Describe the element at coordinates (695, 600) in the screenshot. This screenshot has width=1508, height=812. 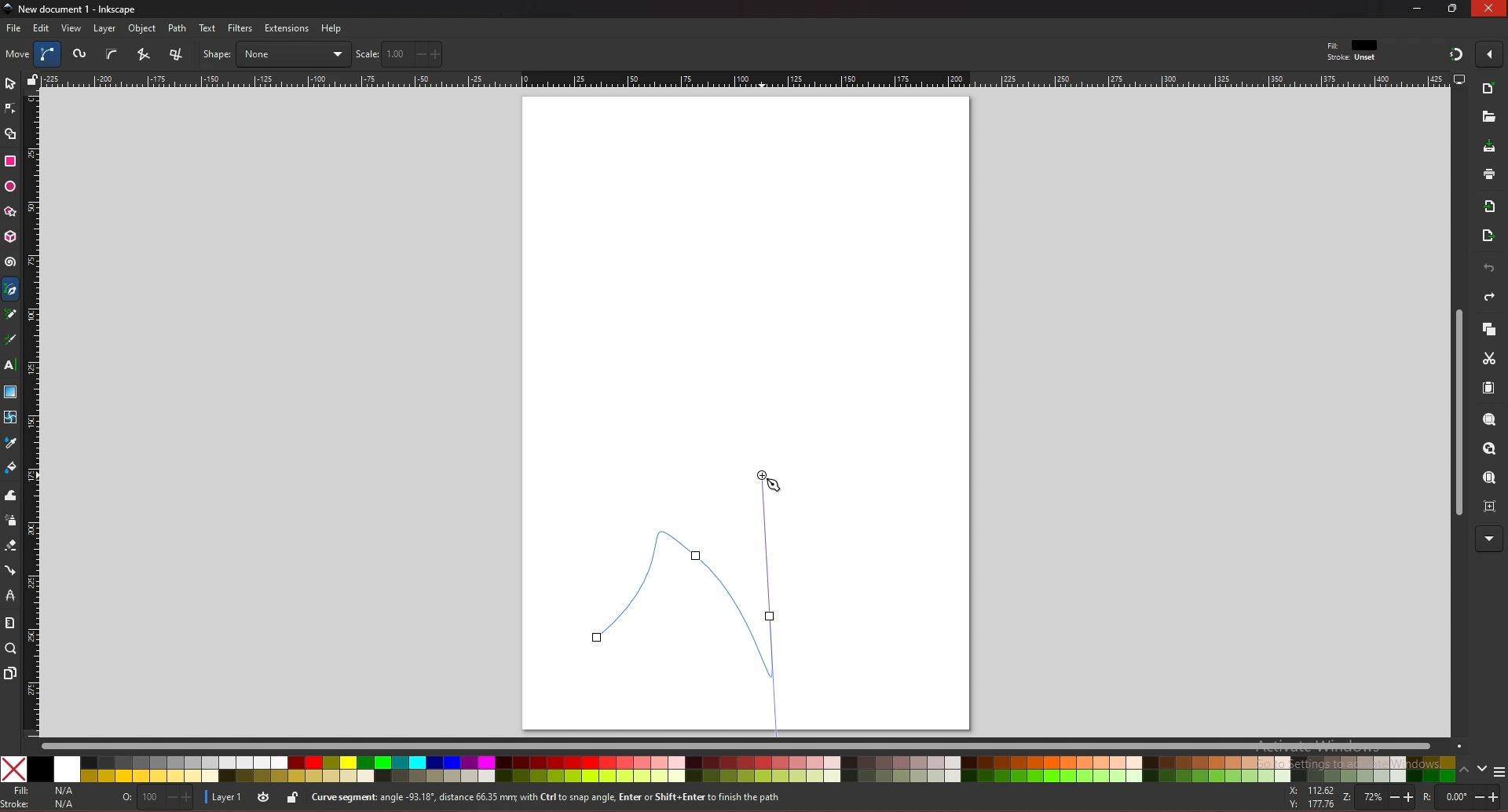
I see `bezier curve` at that location.